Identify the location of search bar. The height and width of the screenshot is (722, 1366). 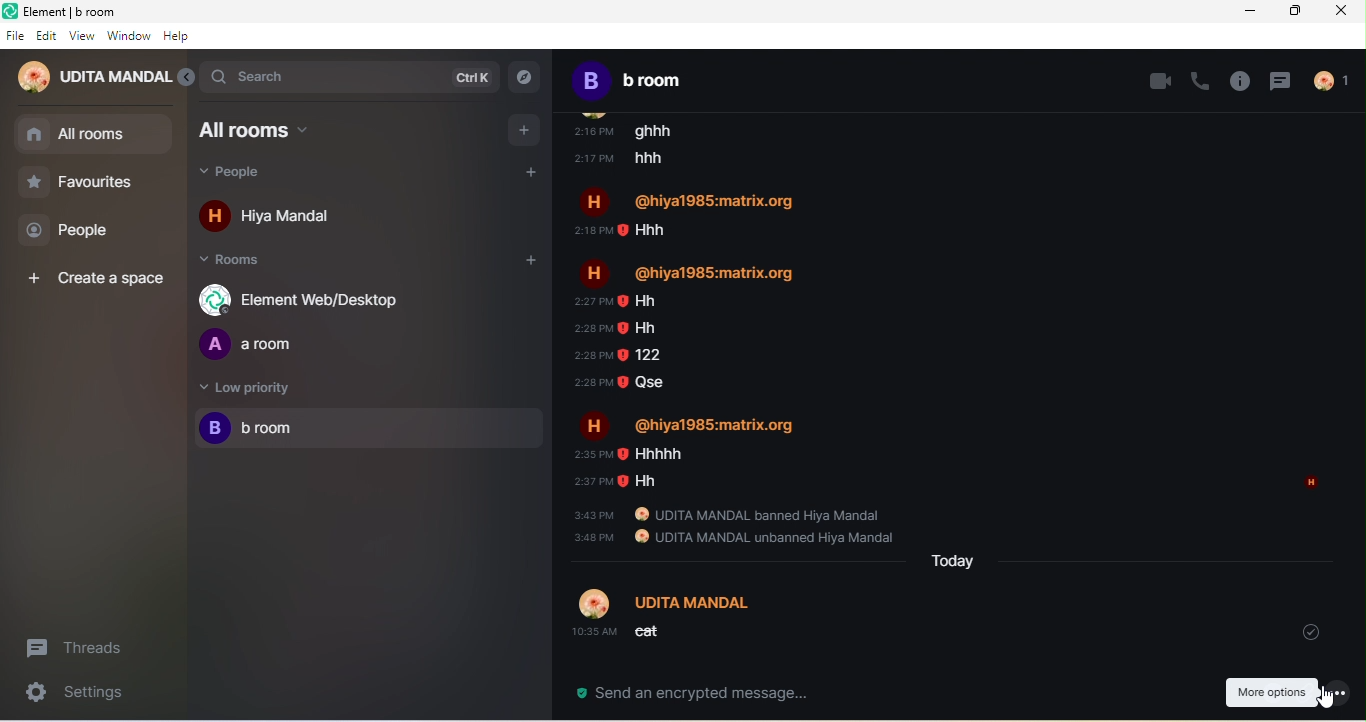
(350, 76).